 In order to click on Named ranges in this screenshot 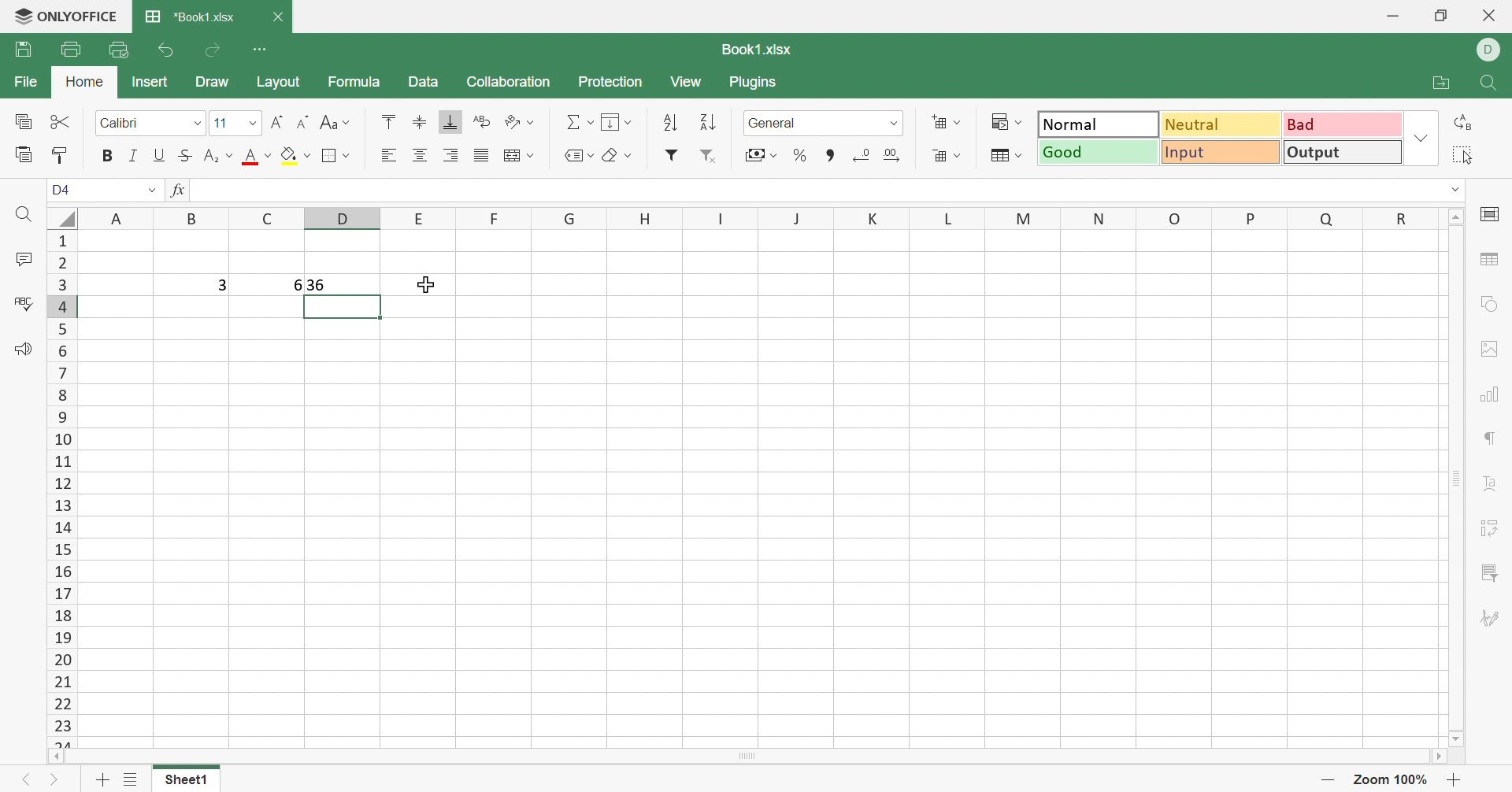, I will do `click(577, 154)`.